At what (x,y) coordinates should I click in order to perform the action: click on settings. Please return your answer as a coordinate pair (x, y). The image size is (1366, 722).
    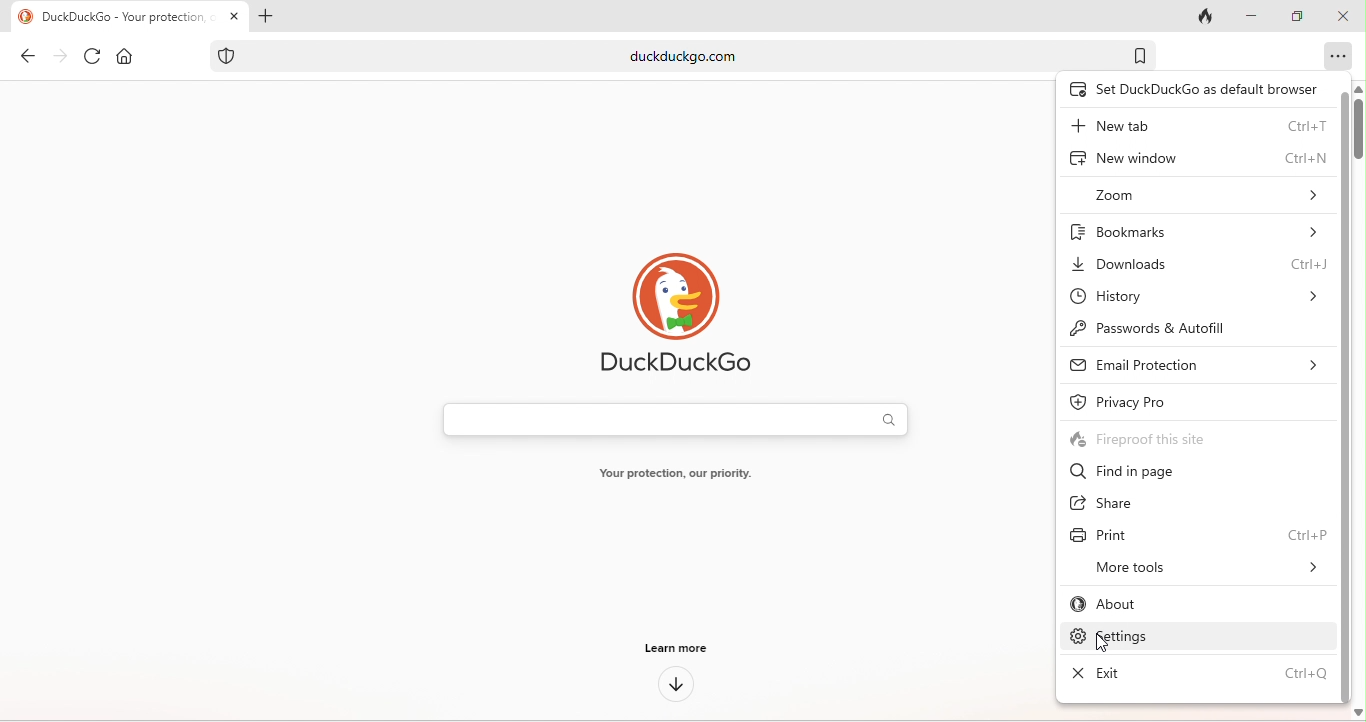
    Looking at the image, I should click on (1202, 635).